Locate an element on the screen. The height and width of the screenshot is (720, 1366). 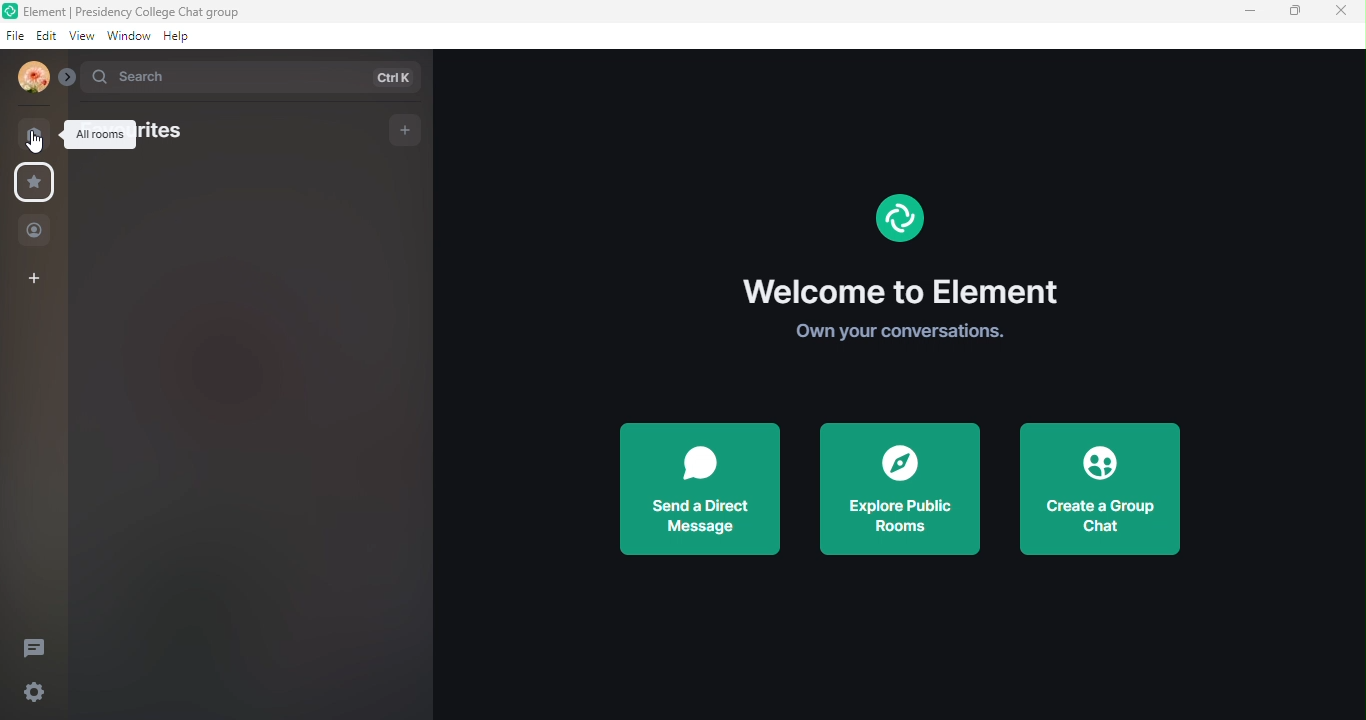
create a group chat is located at coordinates (1104, 483).